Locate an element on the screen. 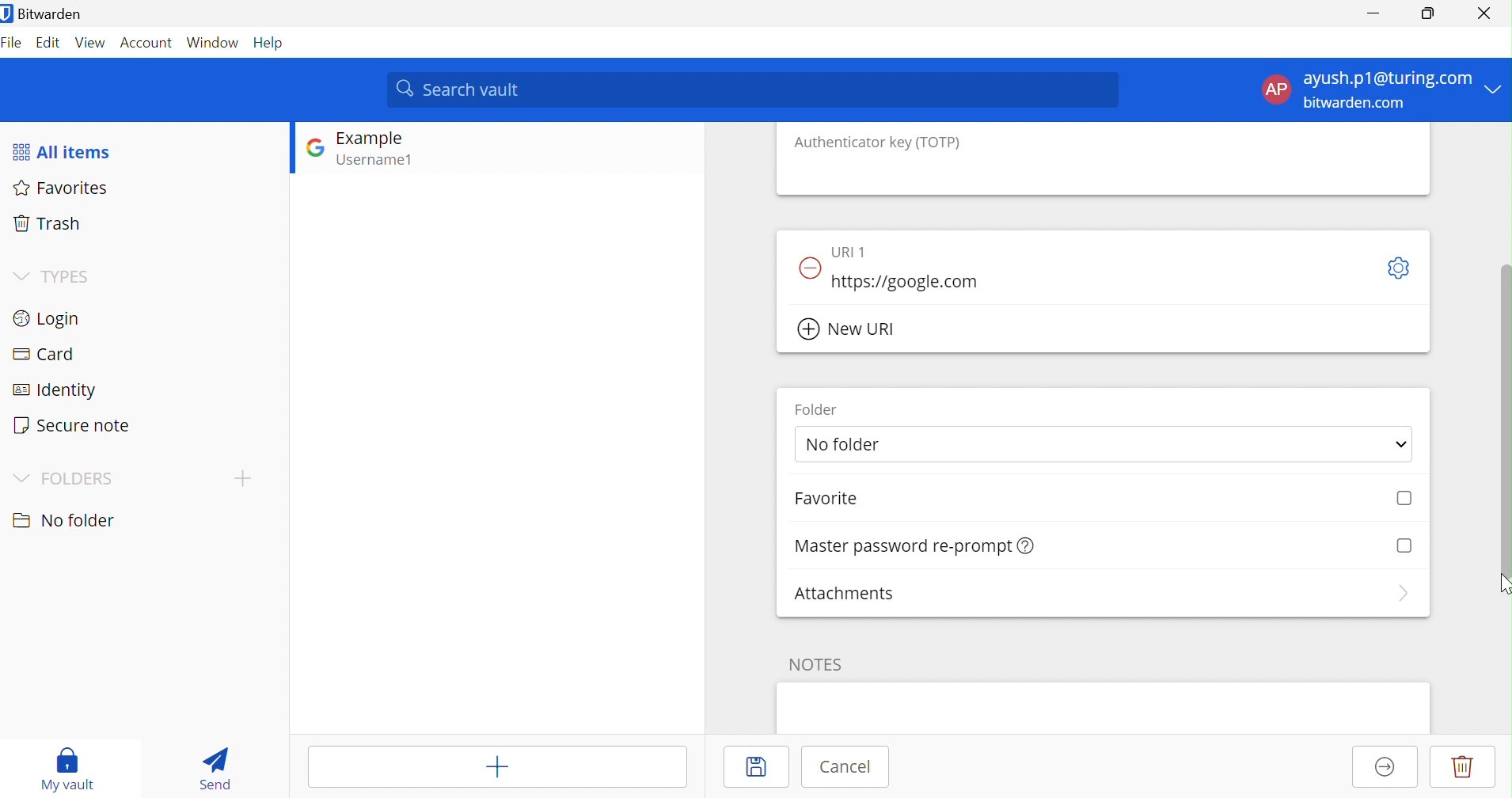 The height and width of the screenshot is (798, 1512). Remove is located at coordinates (808, 268).